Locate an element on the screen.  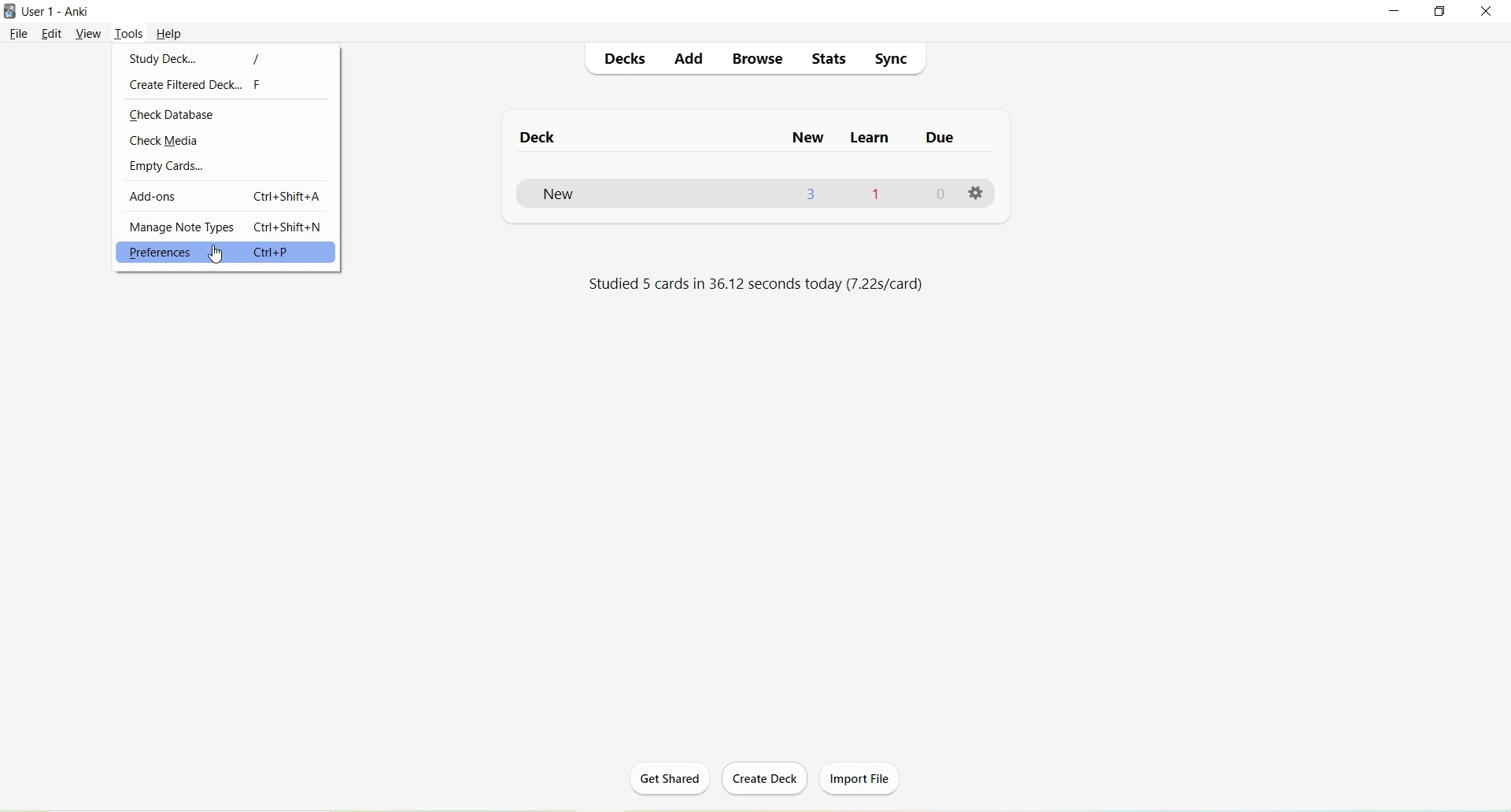
File is located at coordinates (20, 33).